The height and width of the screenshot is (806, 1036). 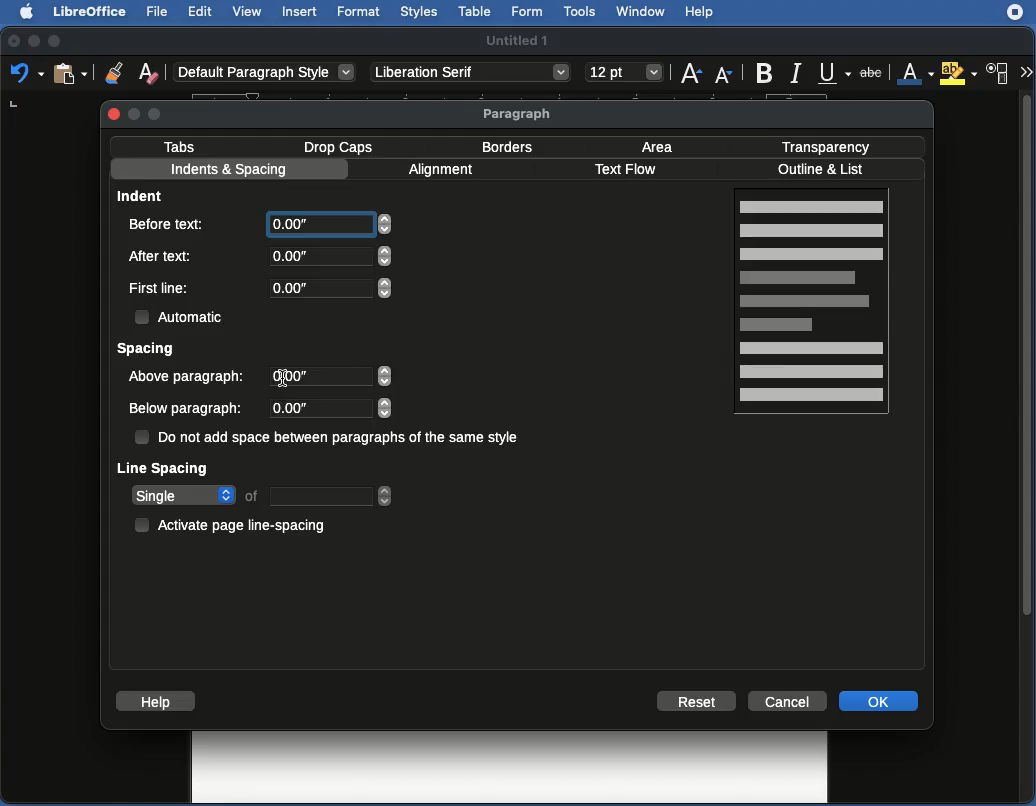 I want to click on Cancel, so click(x=789, y=700).